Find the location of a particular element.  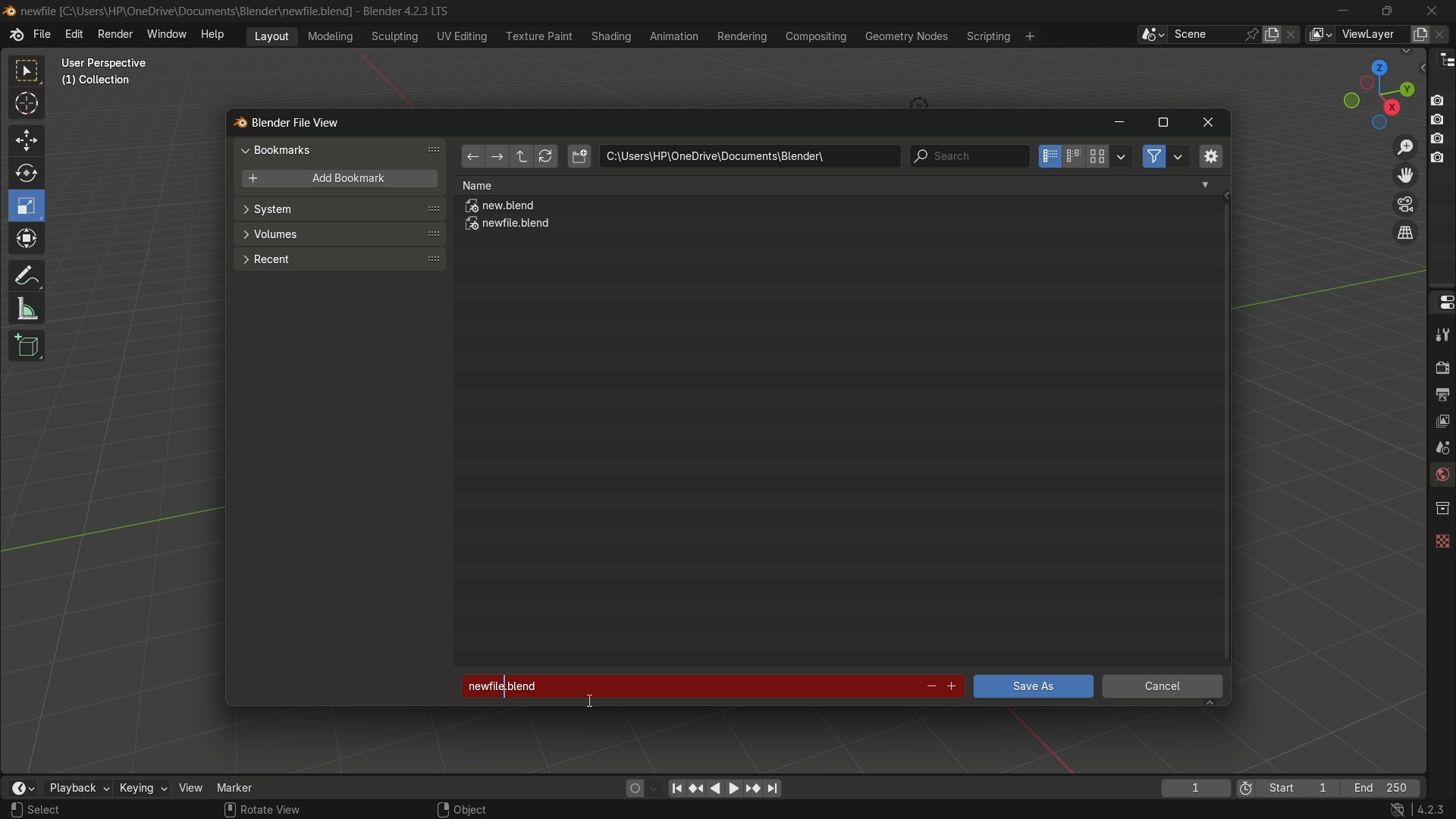

toggle region is located at coordinates (1210, 155).